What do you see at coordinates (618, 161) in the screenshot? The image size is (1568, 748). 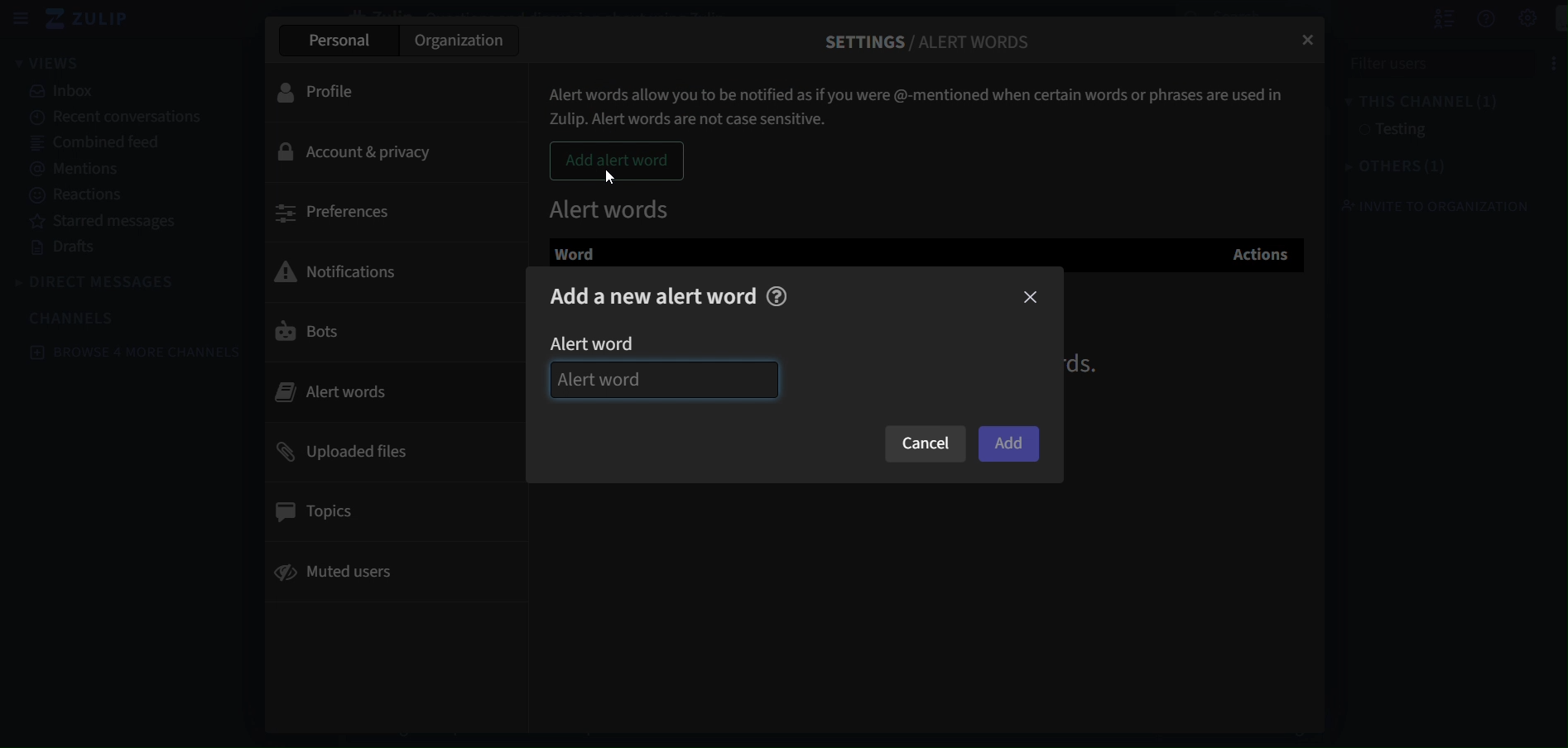 I see `add alert word` at bounding box center [618, 161].